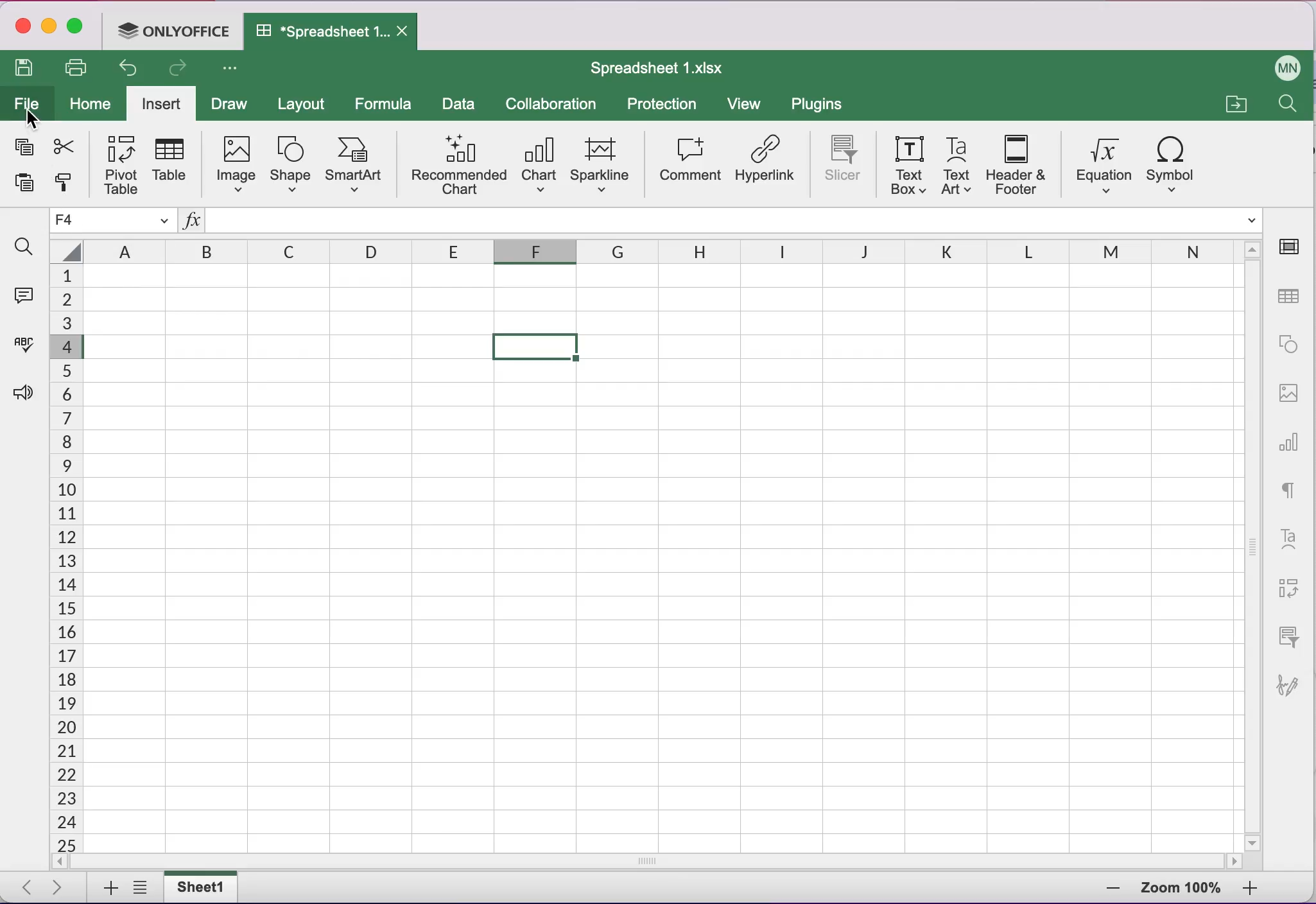 The image size is (1316, 904). What do you see at coordinates (1258, 888) in the screenshot?
I see `zoom in` at bounding box center [1258, 888].